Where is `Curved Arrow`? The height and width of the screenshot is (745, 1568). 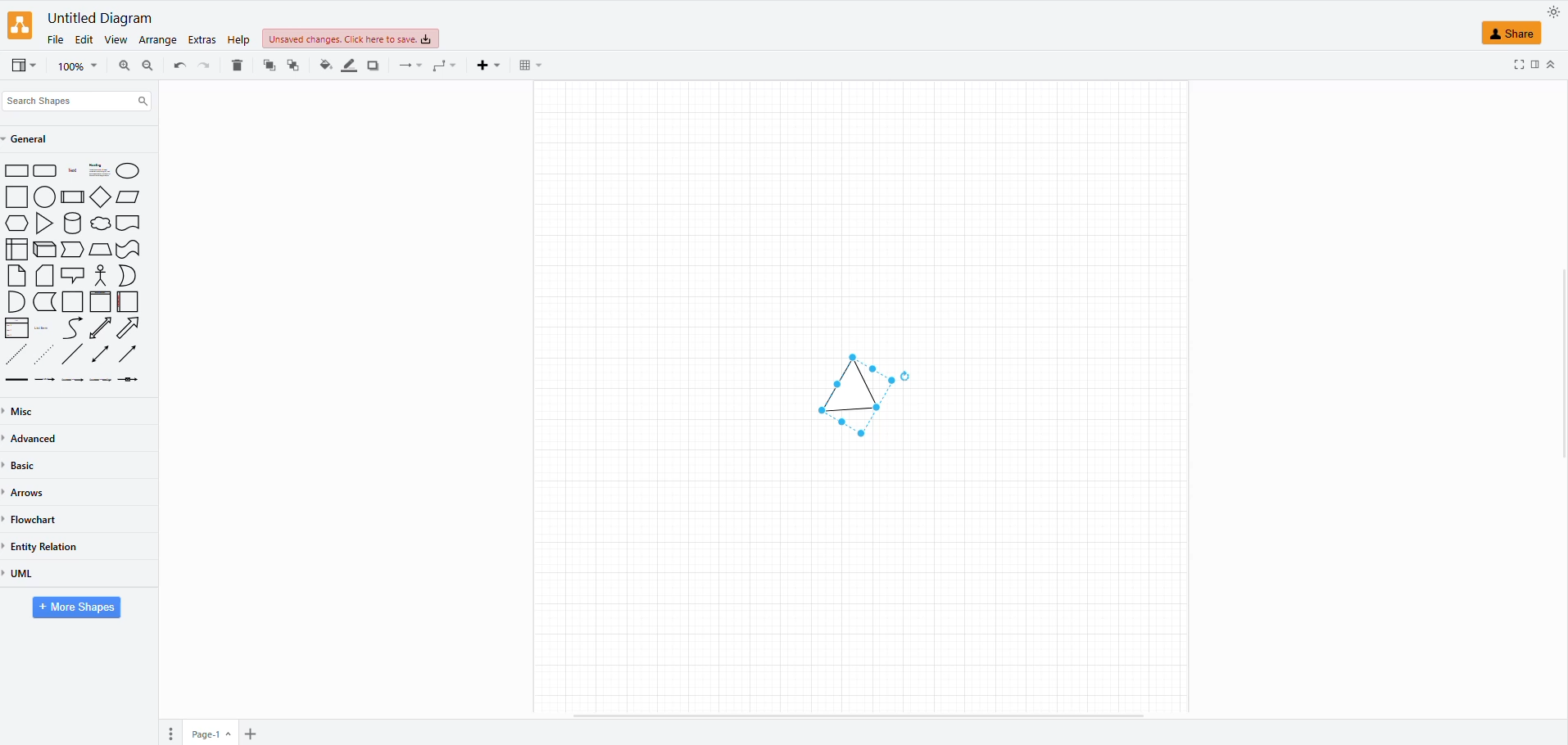
Curved Arrow is located at coordinates (72, 328).